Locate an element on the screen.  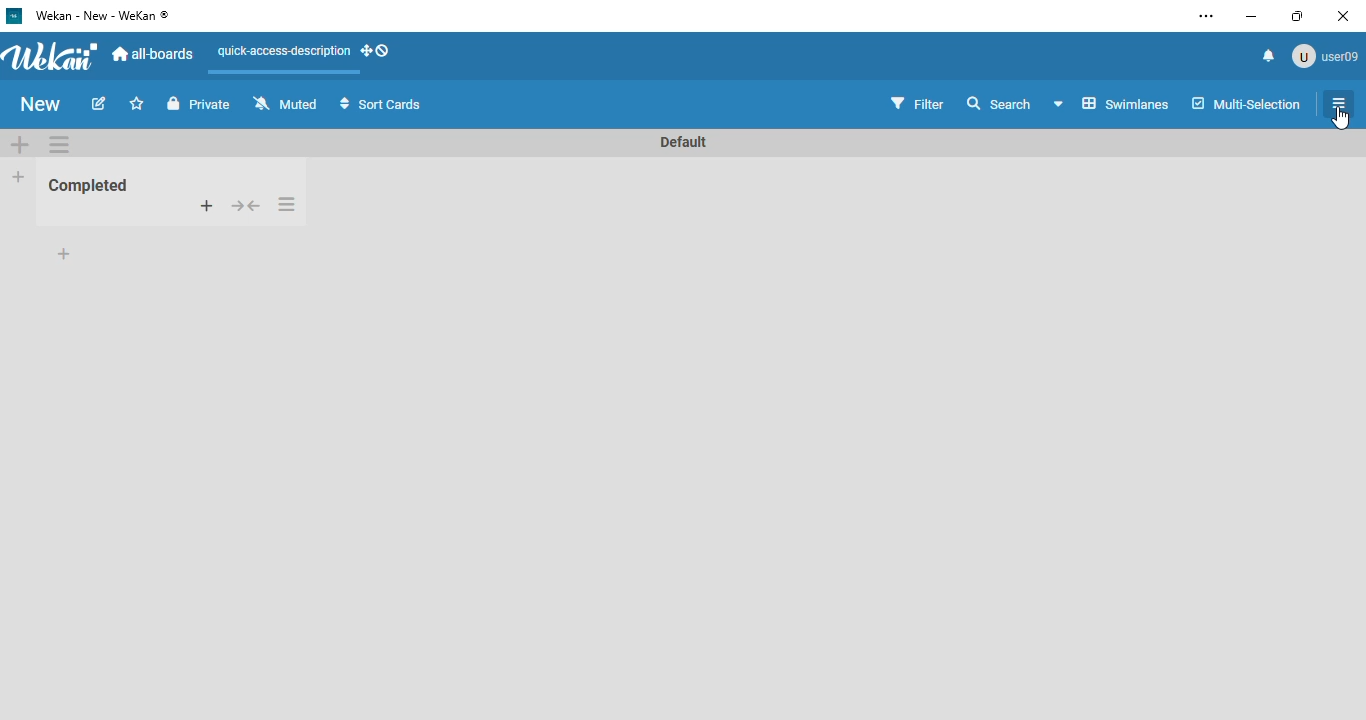
maximize is located at coordinates (1296, 15).